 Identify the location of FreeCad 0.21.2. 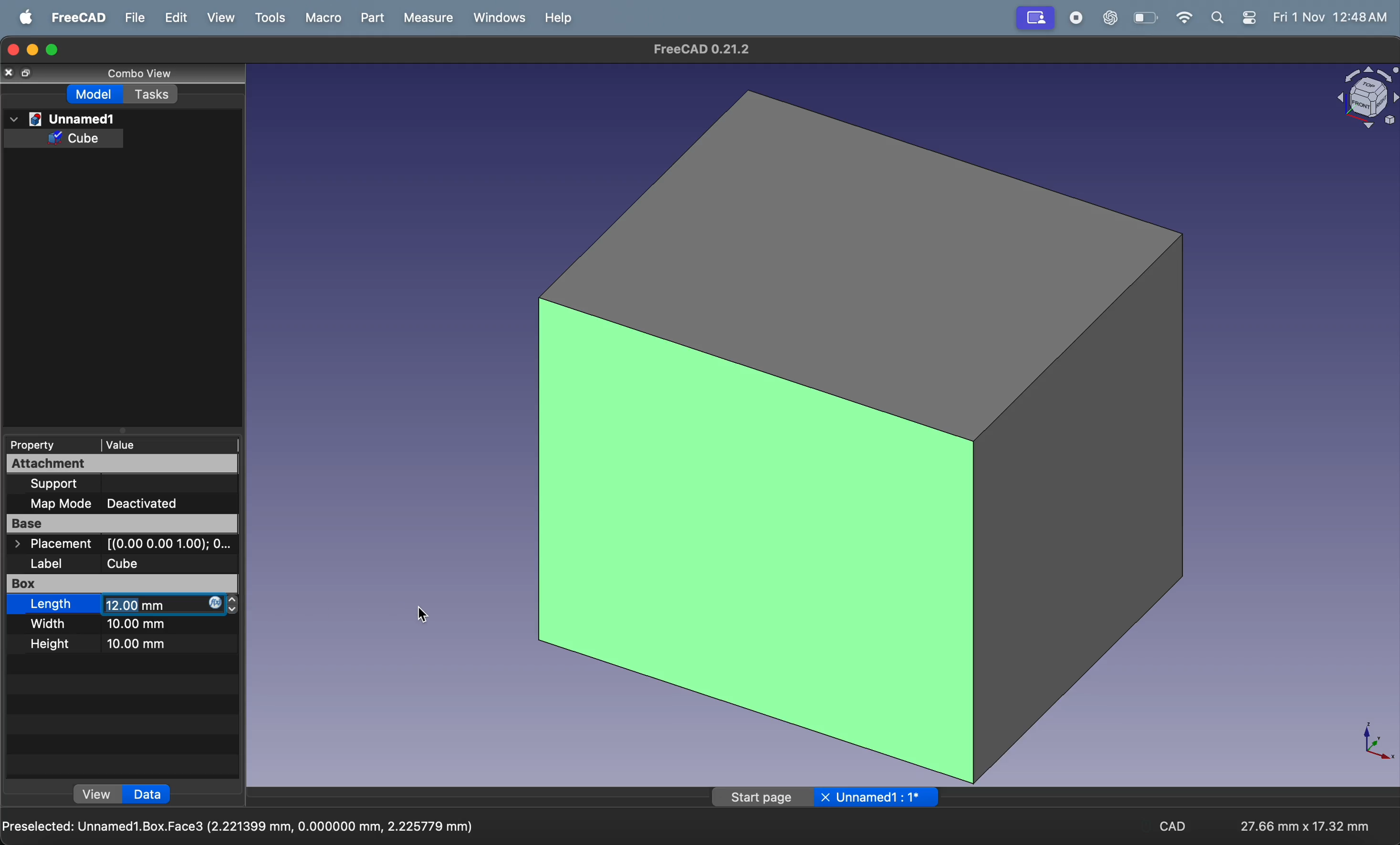
(698, 48).